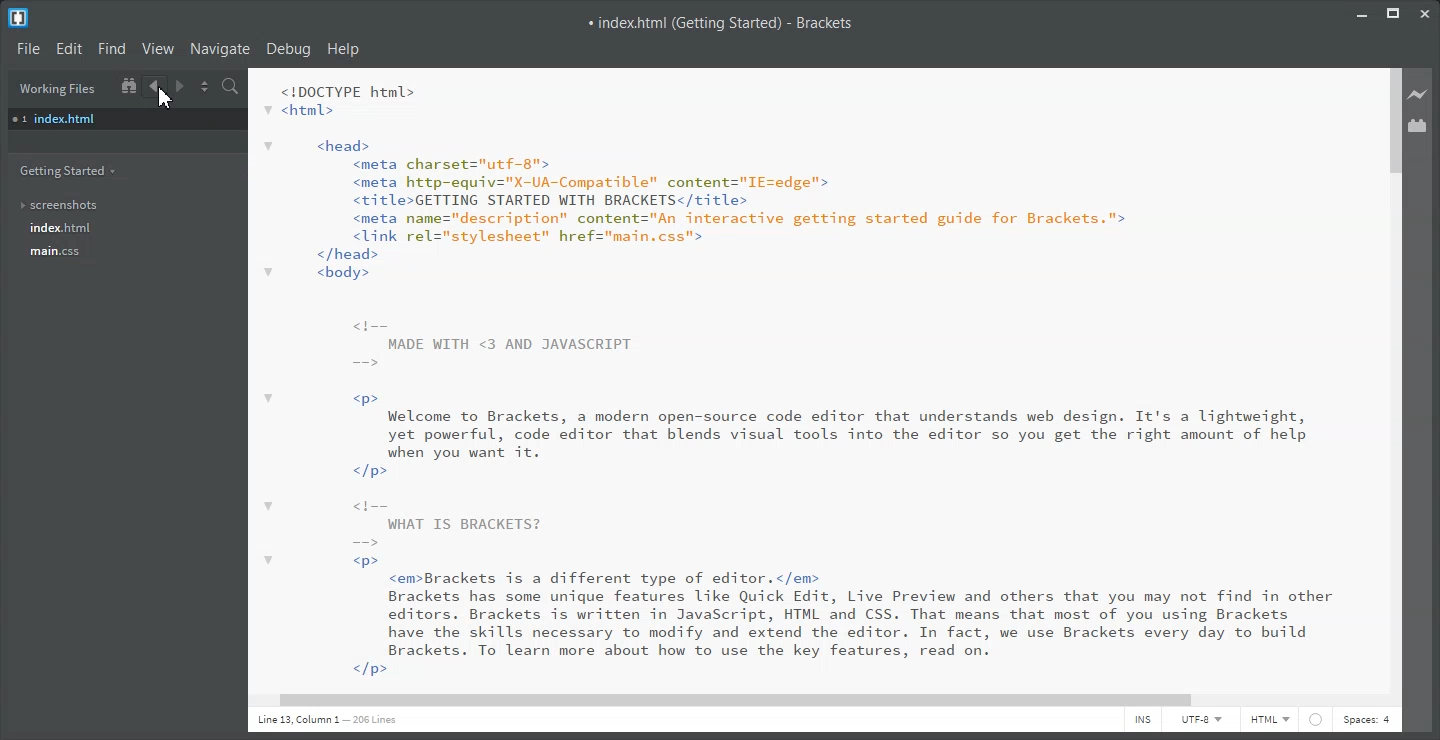  What do you see at coordinates (65, 204) in the screenshot?
I see `Screenshots` at bounding box center [65, 204].